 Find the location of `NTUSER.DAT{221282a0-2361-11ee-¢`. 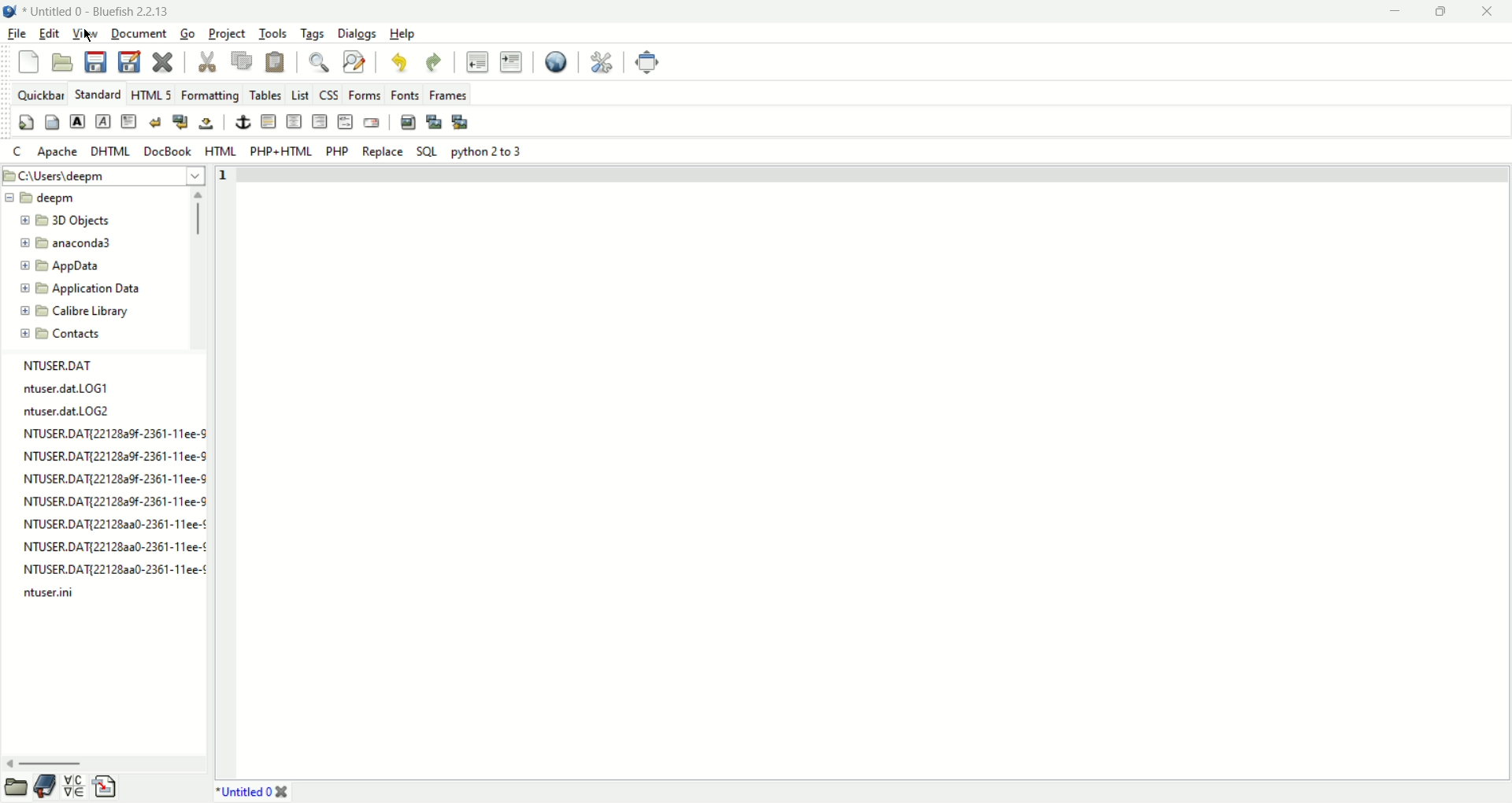

NTUSER.DAT{221282a0-2361-11ee-¢ is located at coordinates (115, 568).